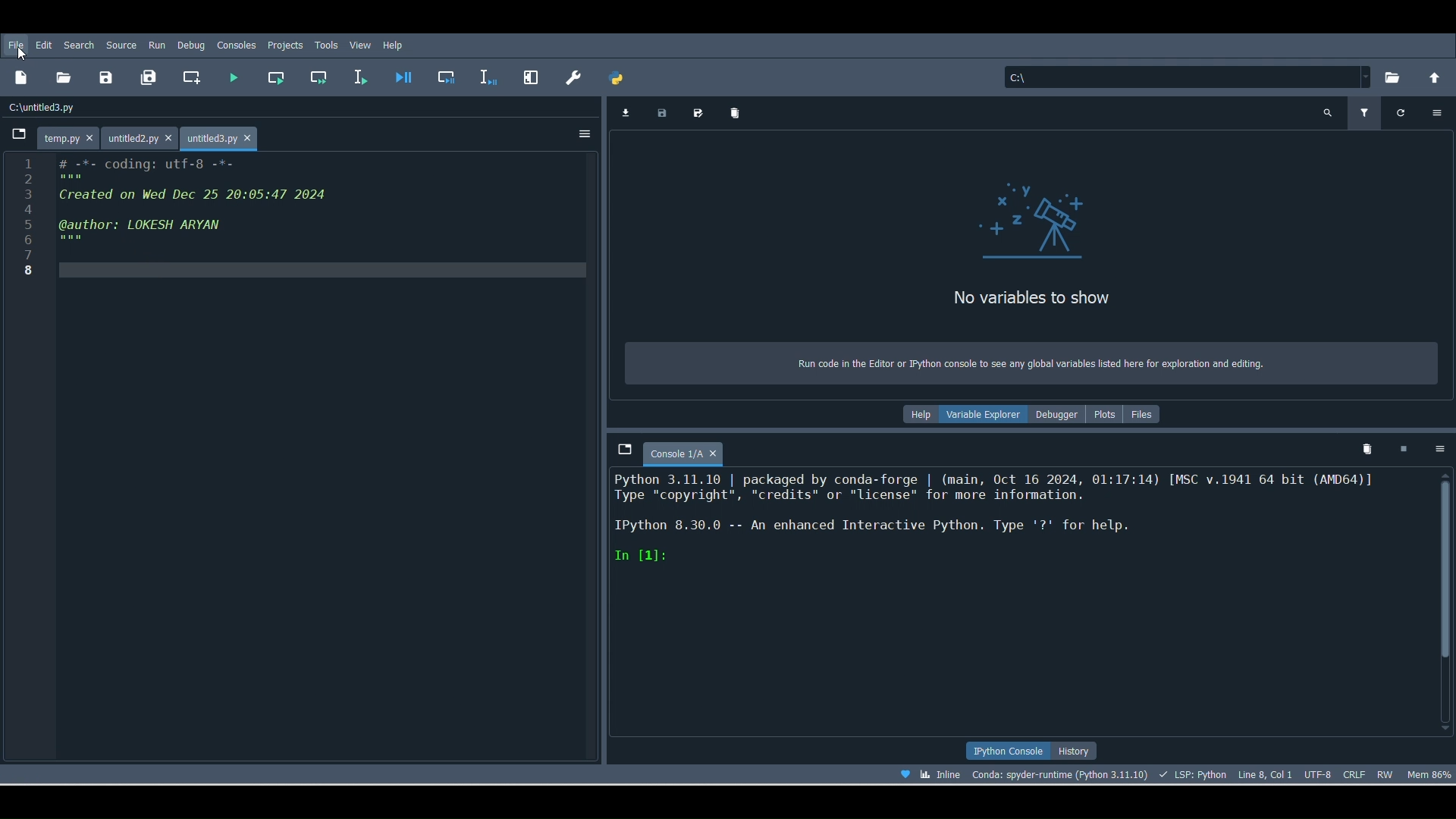  What do you see at coordinates (1439, 112) in the screenshot?
I see `Options` at bounding box center [1439, 112].